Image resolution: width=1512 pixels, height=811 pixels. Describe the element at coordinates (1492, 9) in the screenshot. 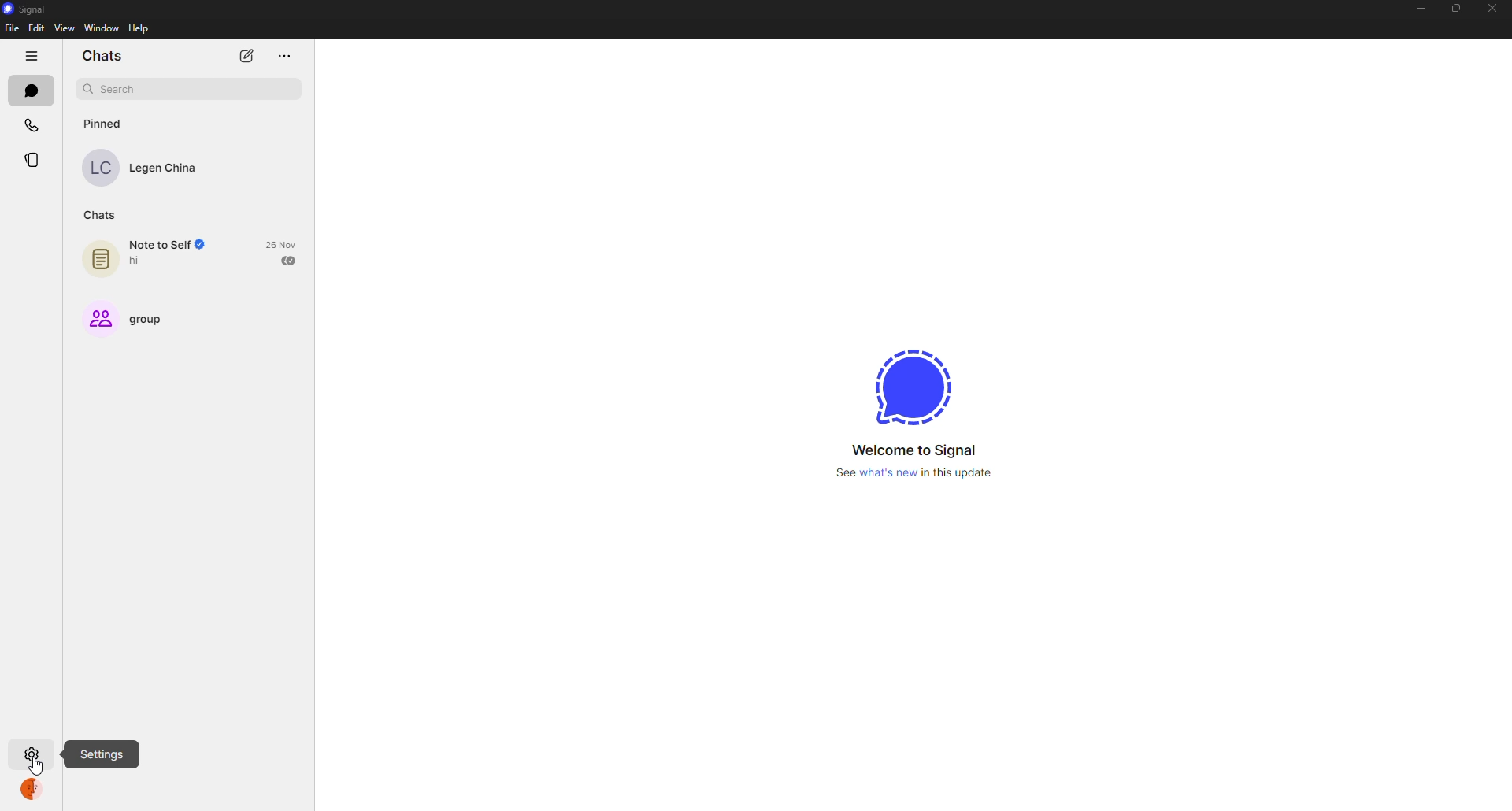

I see `close` at that location.